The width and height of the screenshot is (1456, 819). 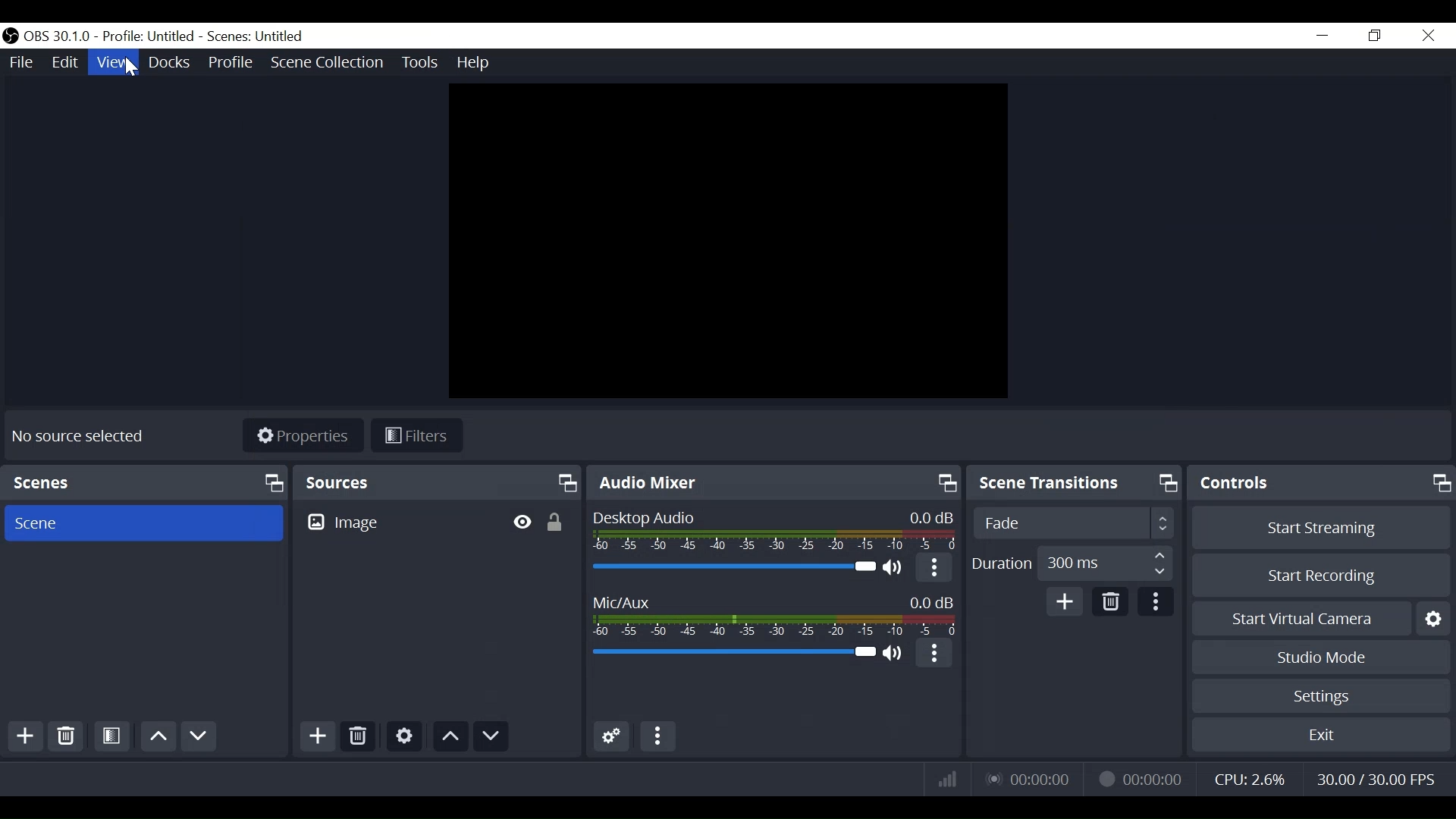 What do you see at coordinates (158, 737) in the screenshot?
I see `move up` at bounding box center [158, 737].